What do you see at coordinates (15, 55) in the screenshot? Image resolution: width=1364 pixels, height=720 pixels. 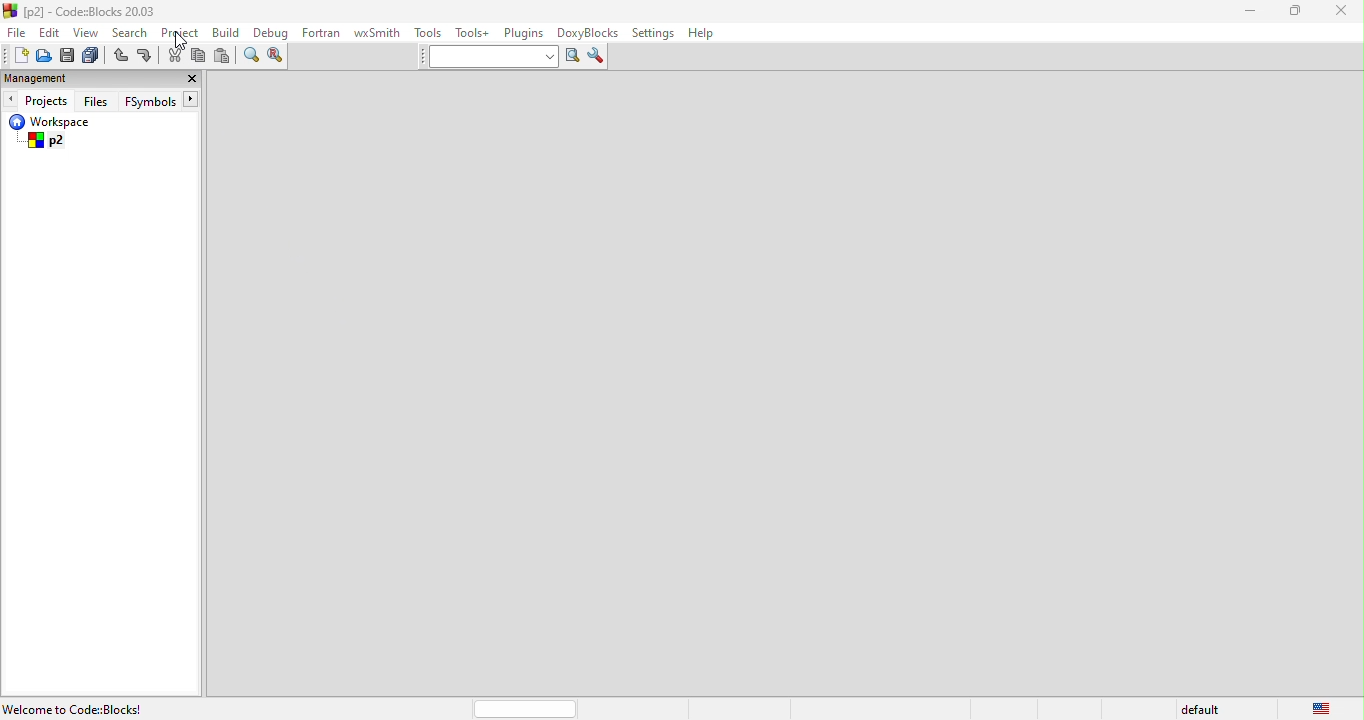 I see `new` at bounding box center [15, 55].